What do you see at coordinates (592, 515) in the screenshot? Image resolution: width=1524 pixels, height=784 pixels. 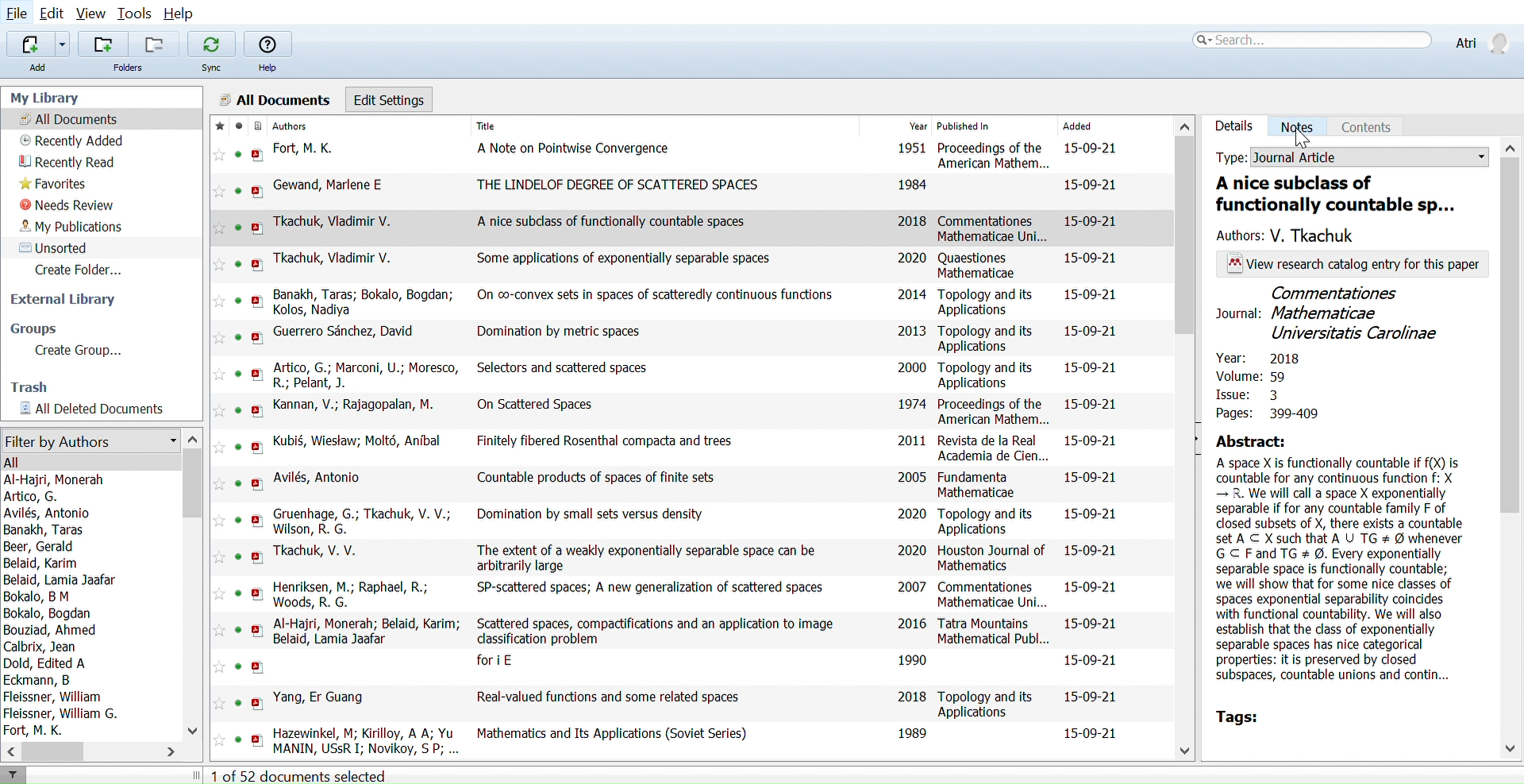 I see `Domination by small sets versus density` at bounding box center [592, 515].